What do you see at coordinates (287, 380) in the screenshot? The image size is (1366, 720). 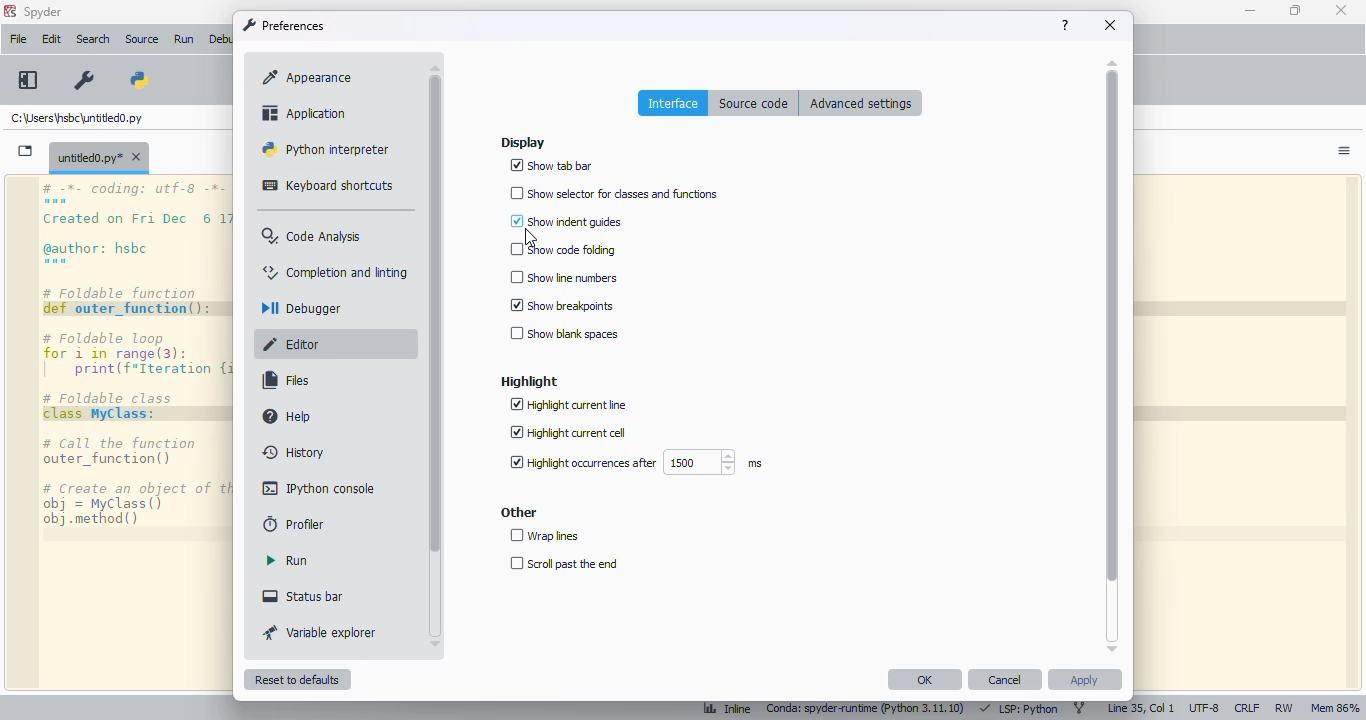 I see `files` at bounding box center [287, 380].